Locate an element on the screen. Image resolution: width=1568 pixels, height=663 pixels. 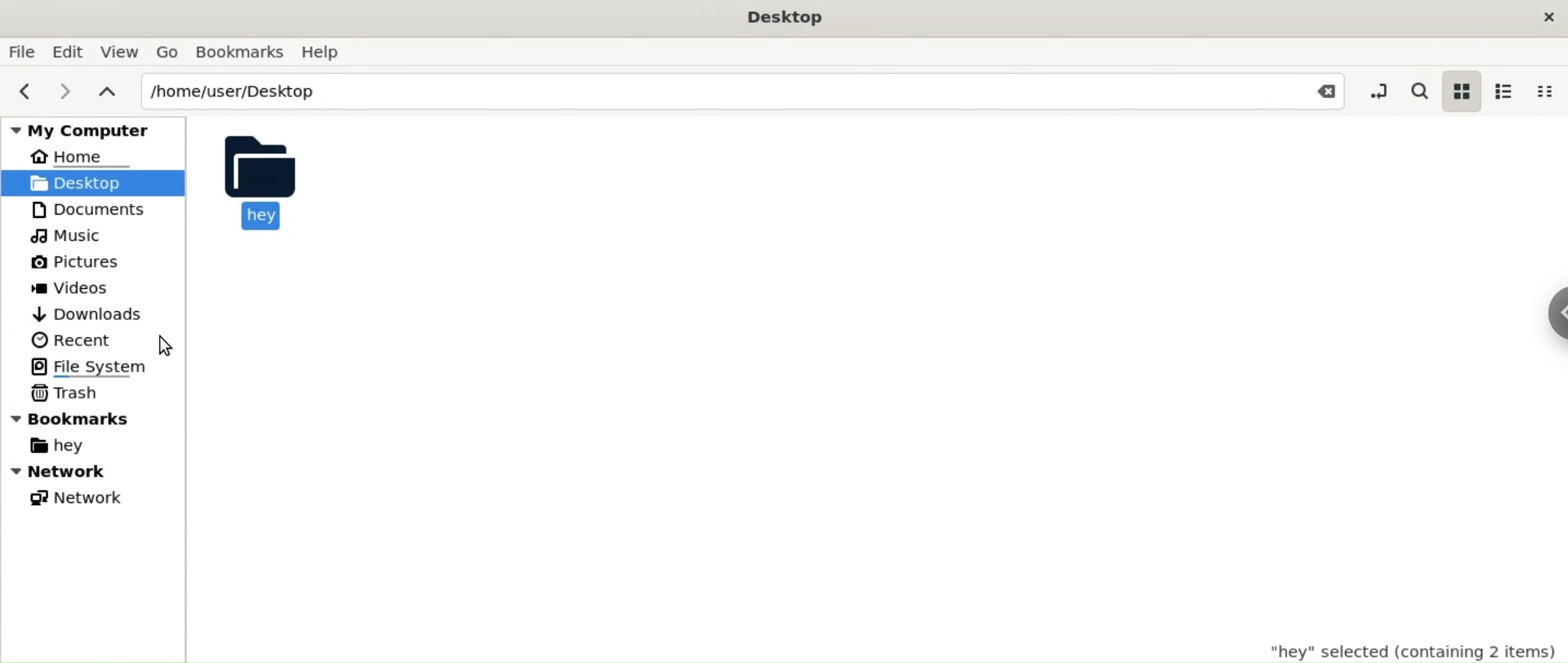
close is located at coordinates (1548, 18).